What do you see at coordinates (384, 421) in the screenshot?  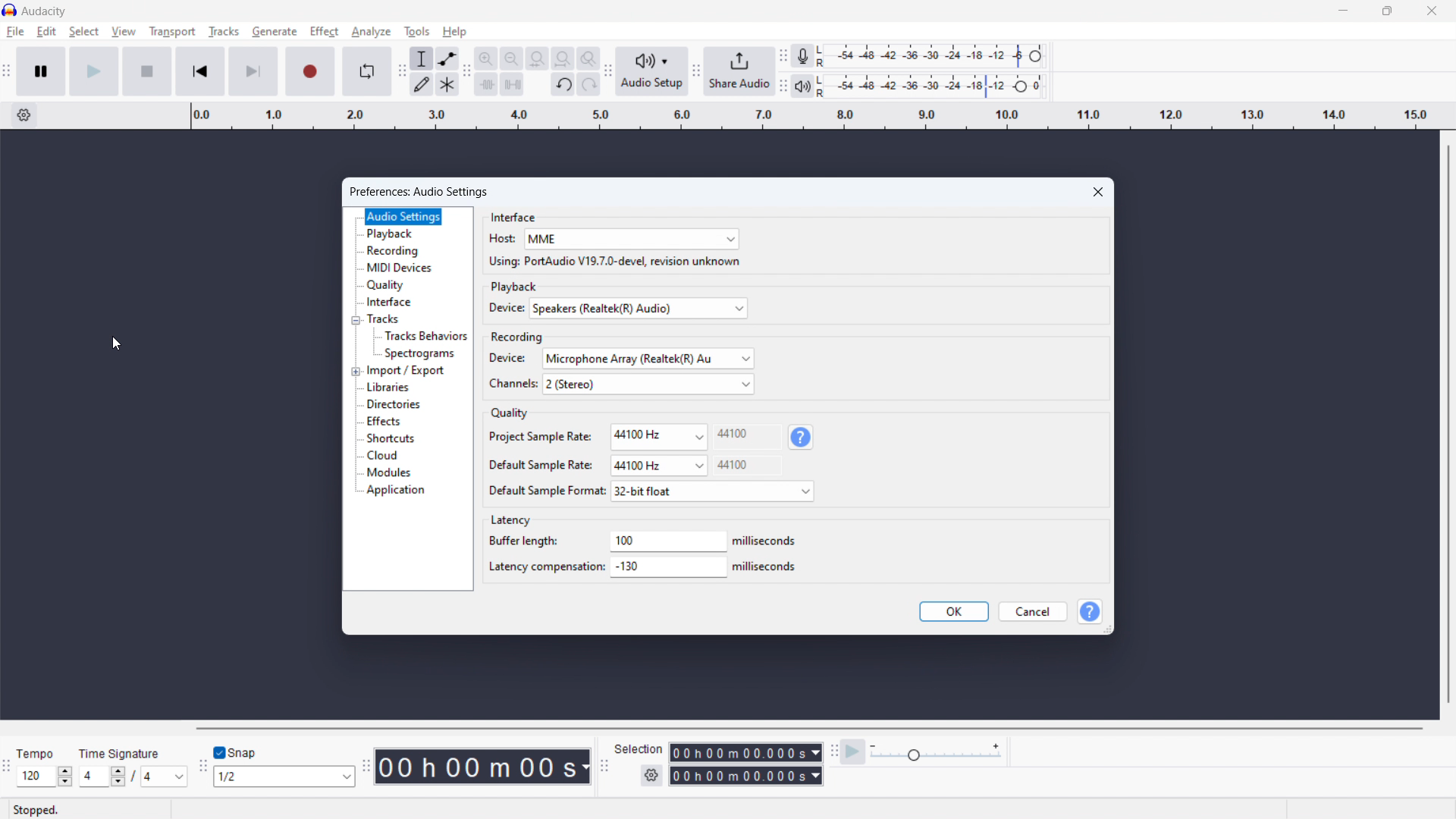 I see `effects` at bounding box center [384, 421].